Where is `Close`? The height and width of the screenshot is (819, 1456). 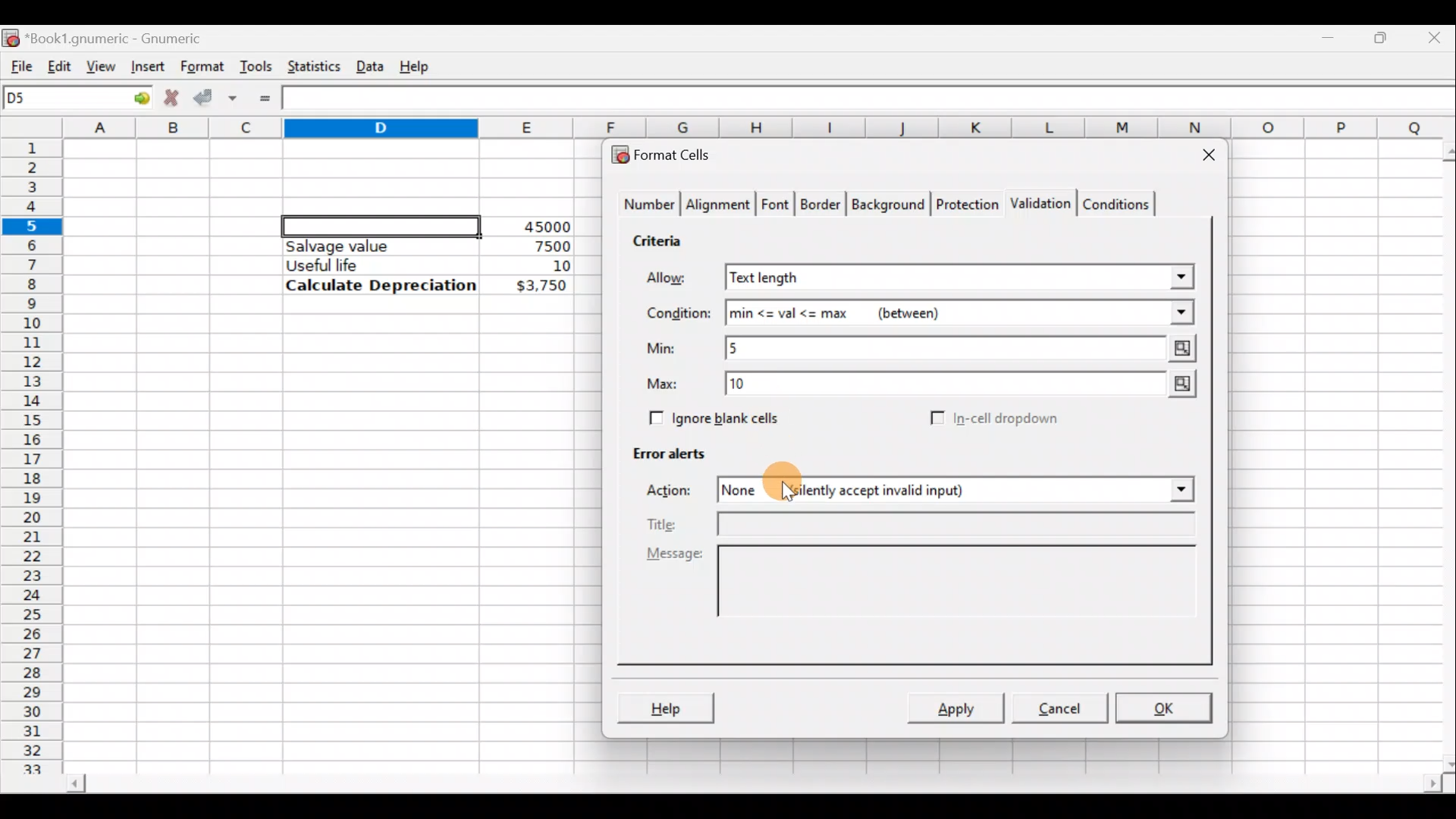 Close is located at coordinates (1437, 36).